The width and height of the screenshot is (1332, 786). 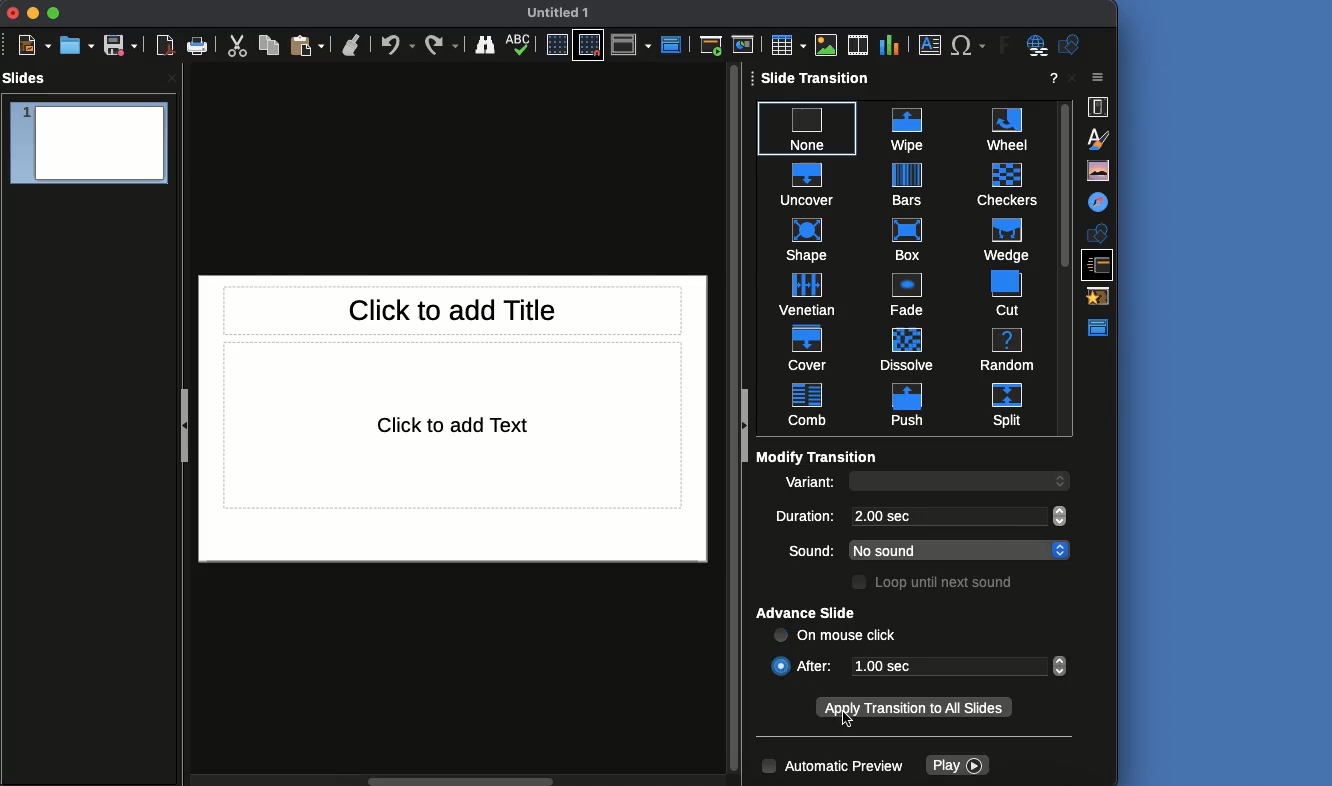 I want to click on Audio or video, so click(x=857, y=43).